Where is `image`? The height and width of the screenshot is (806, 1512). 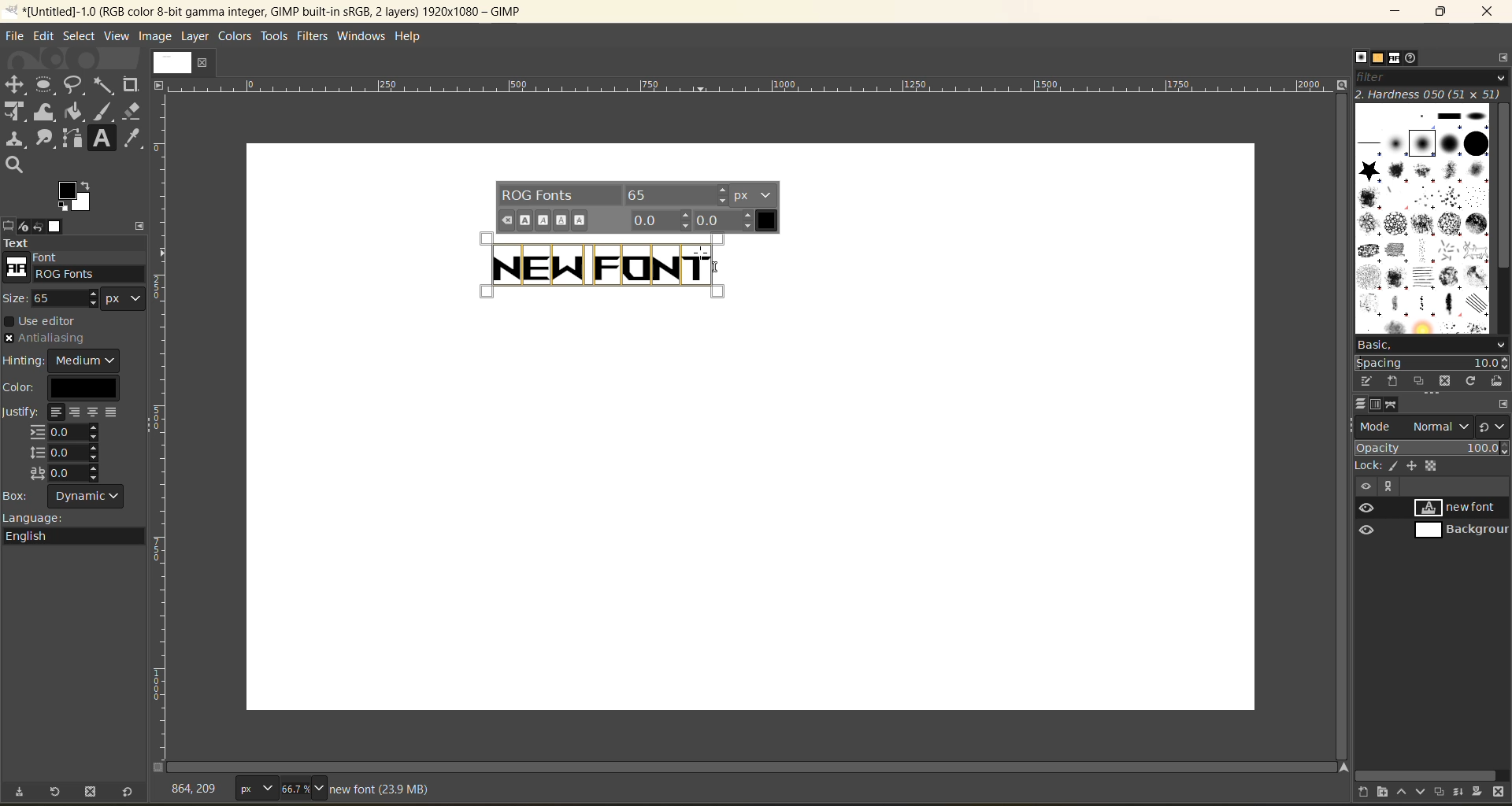 image is located at coordinates (168, 62).